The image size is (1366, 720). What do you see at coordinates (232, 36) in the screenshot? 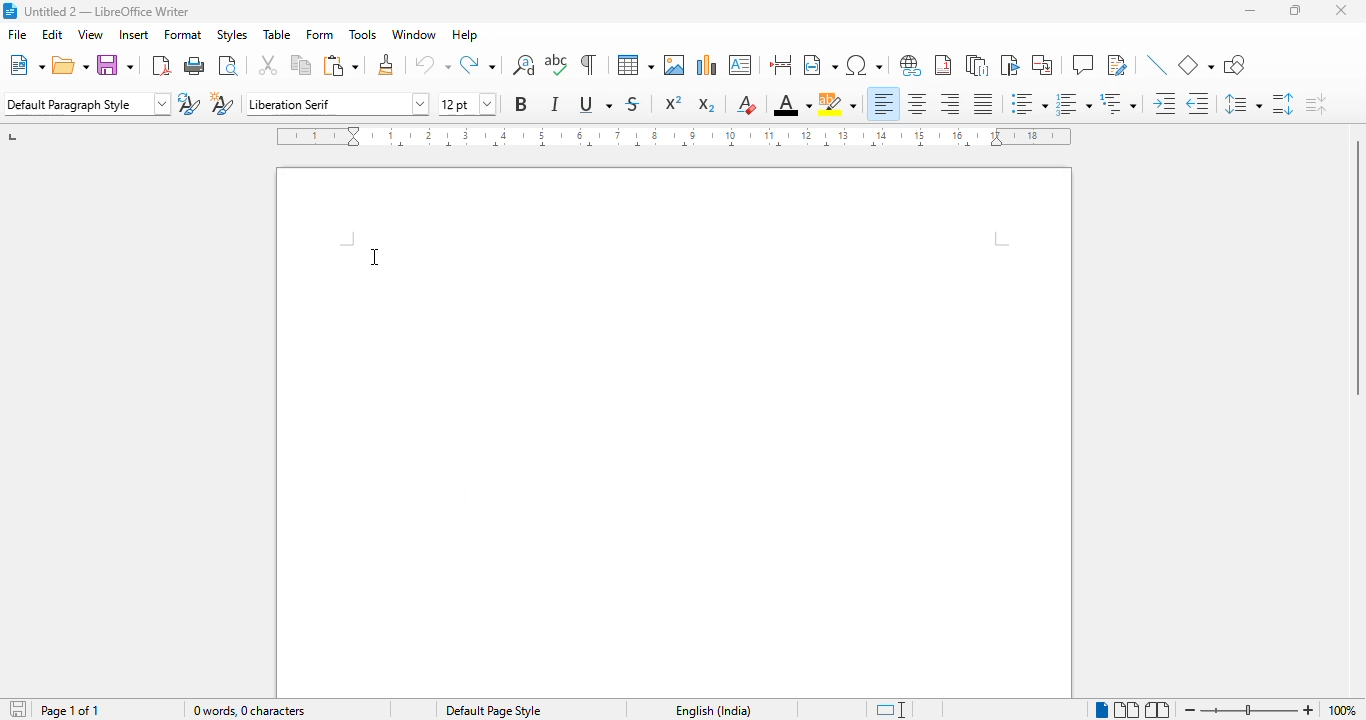
I see `styles` at bounding box center [232, 36].